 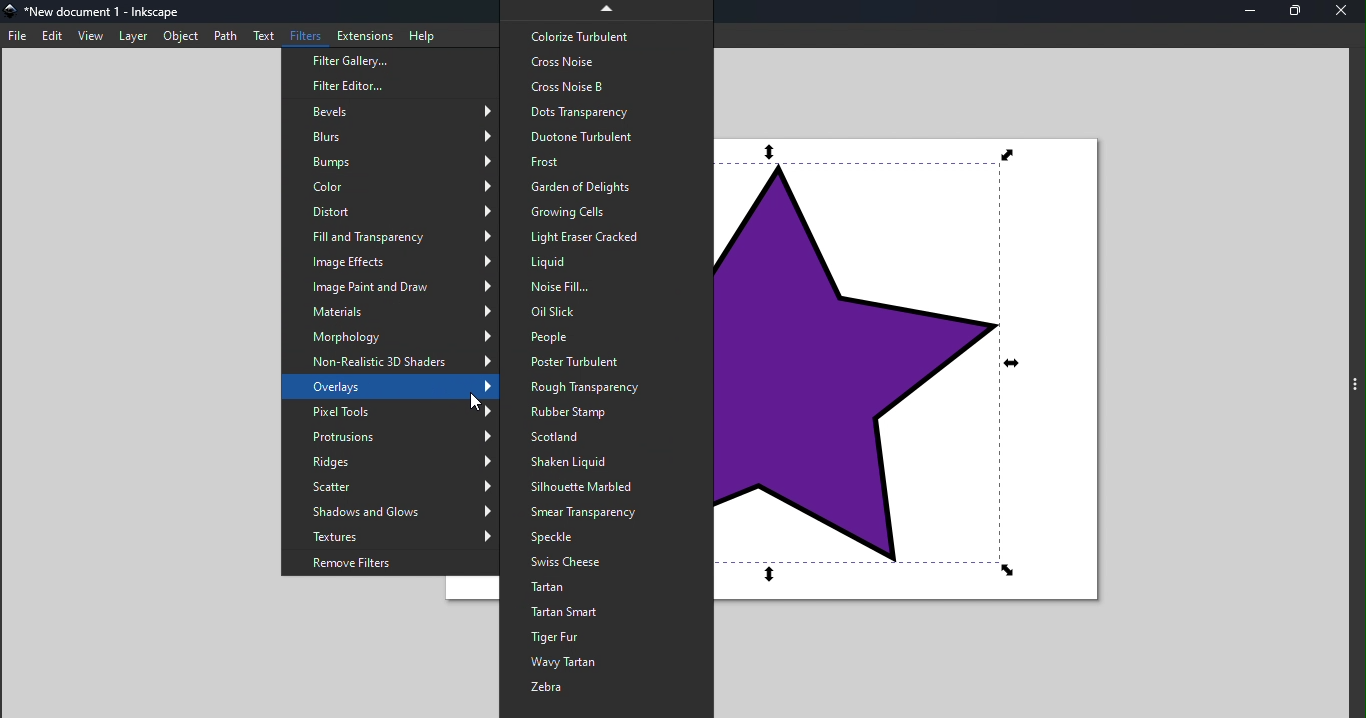 I want to click on Duotone turbulent, so click(x=606, y=137).